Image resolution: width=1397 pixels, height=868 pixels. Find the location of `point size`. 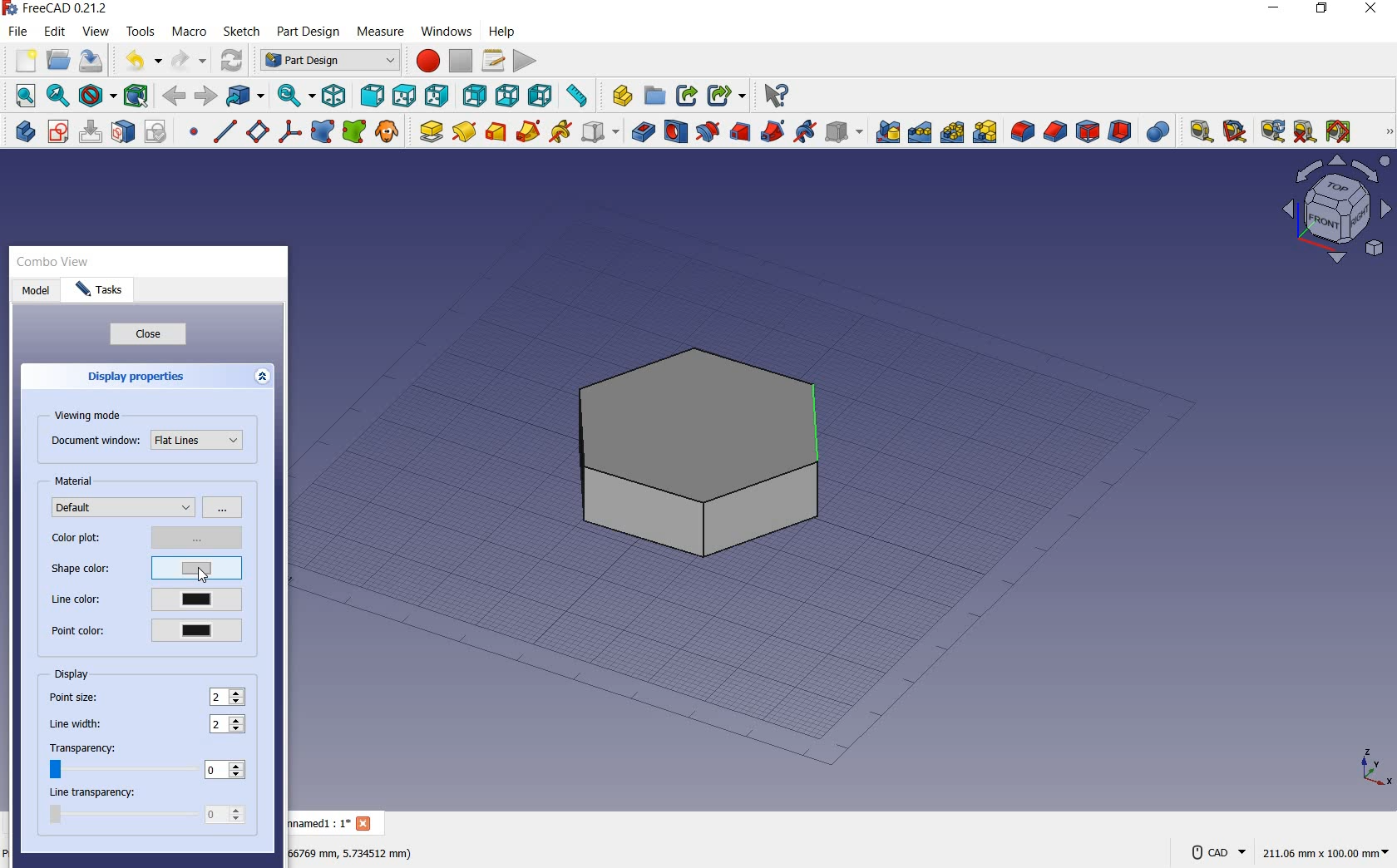

point size is located at coordinates (93, 698).